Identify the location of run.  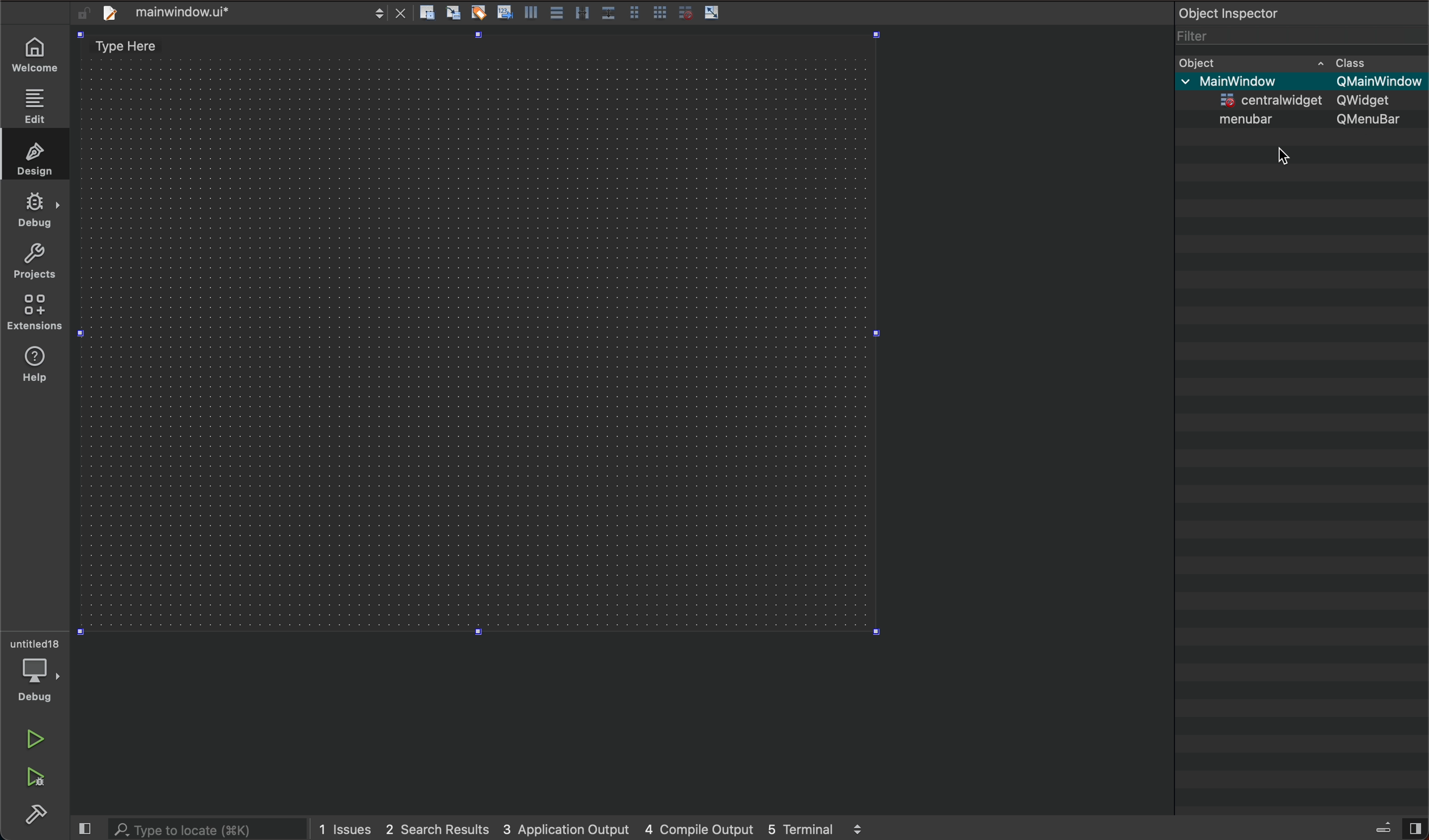
(37, 740).